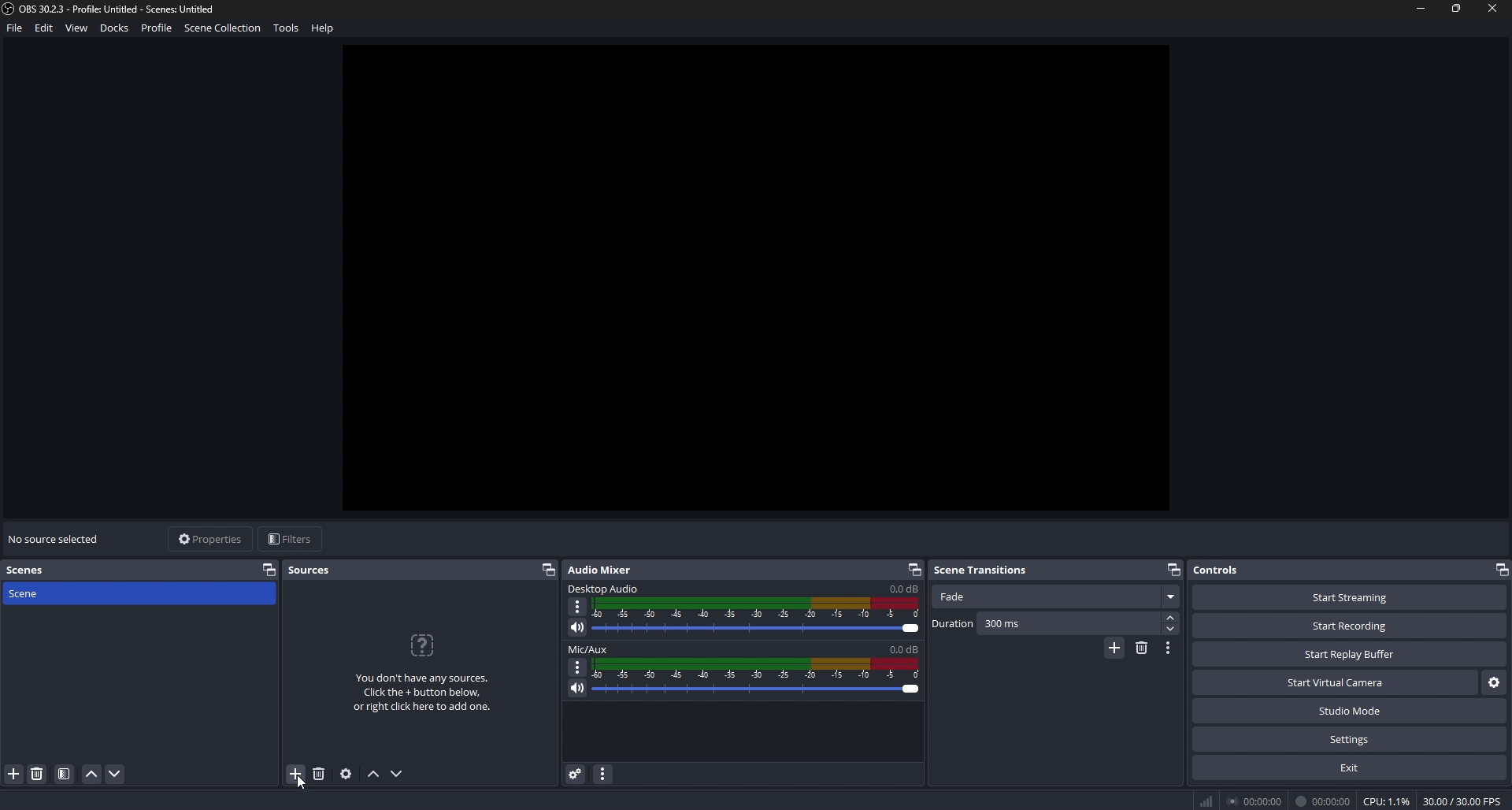 This screenshot has width=1512, height=810. I want to click on scene transitions, so click(984, 570).